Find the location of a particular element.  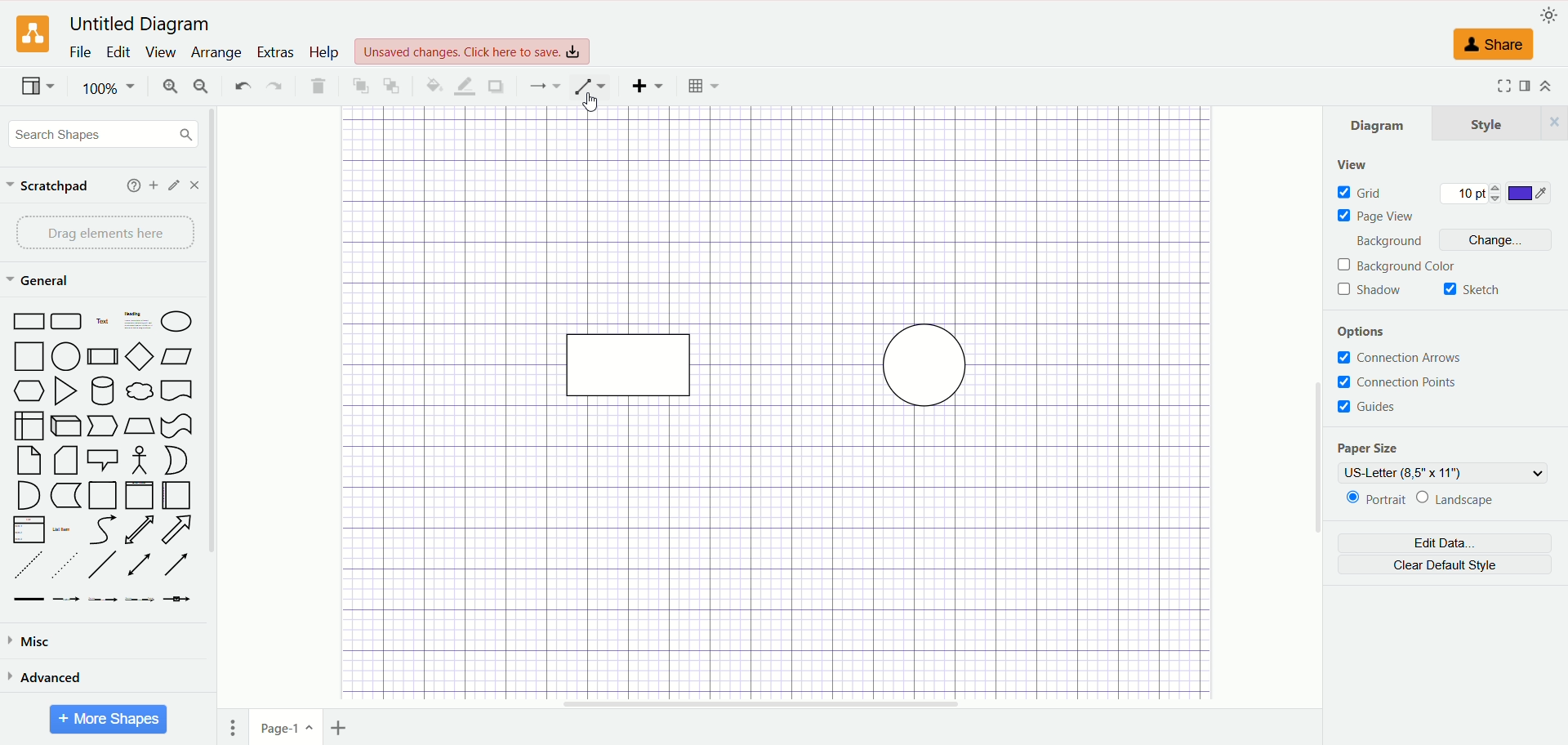

Marker is located at coordinates (65, 497).